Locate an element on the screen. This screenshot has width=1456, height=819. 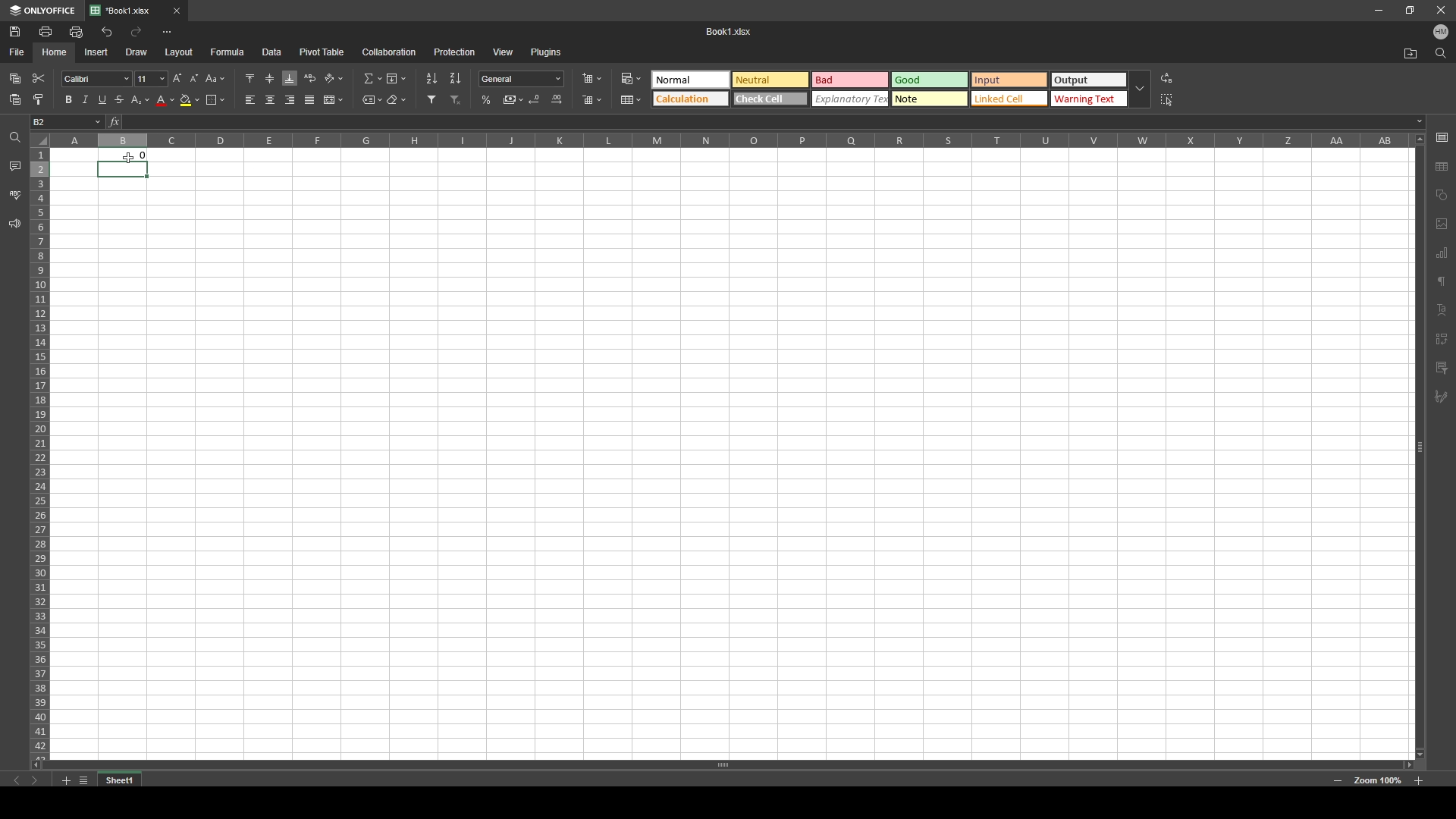
sheet list is located at coordinates (83, 780).